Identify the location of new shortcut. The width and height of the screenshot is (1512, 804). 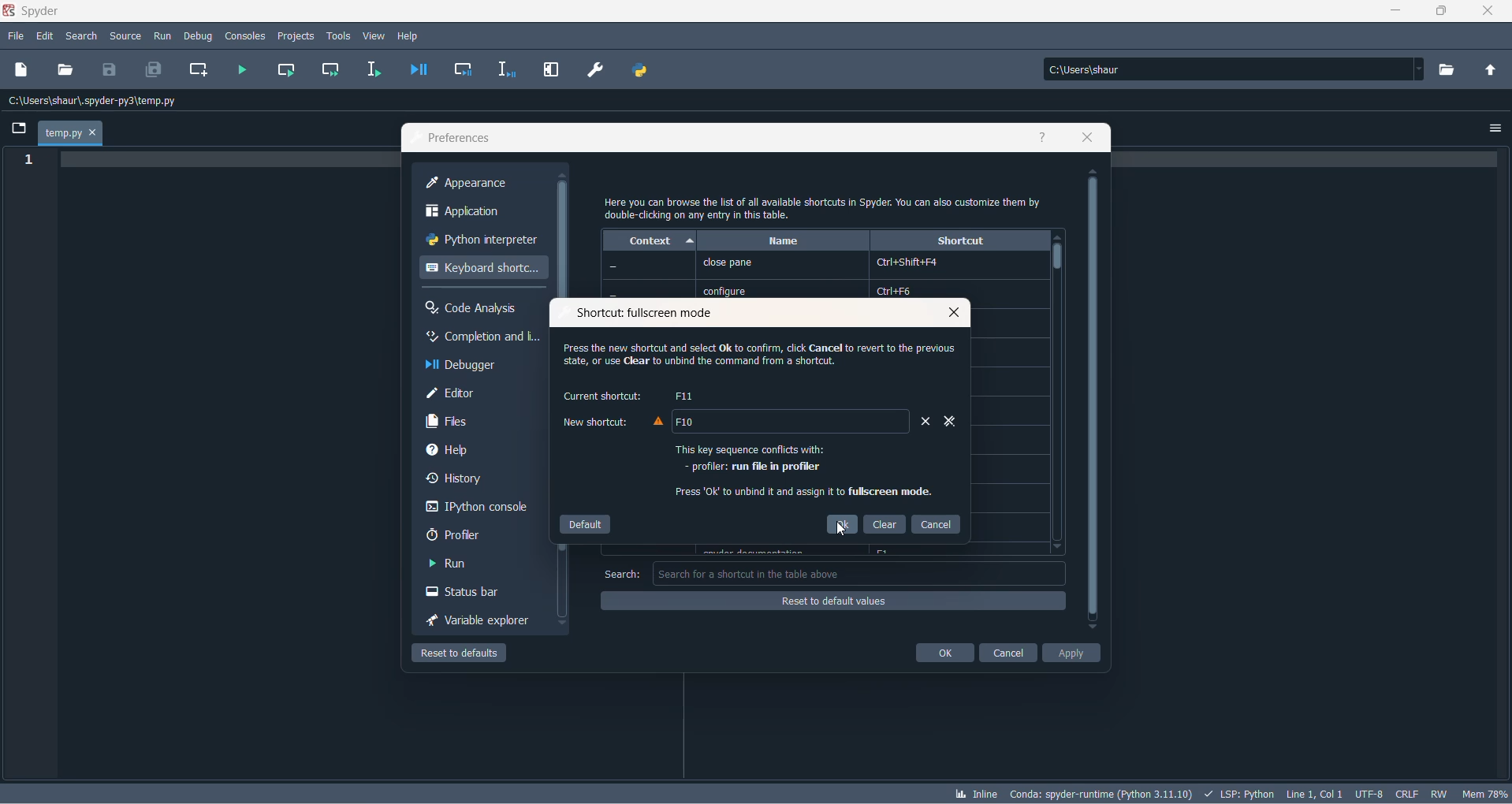
(598, 423).